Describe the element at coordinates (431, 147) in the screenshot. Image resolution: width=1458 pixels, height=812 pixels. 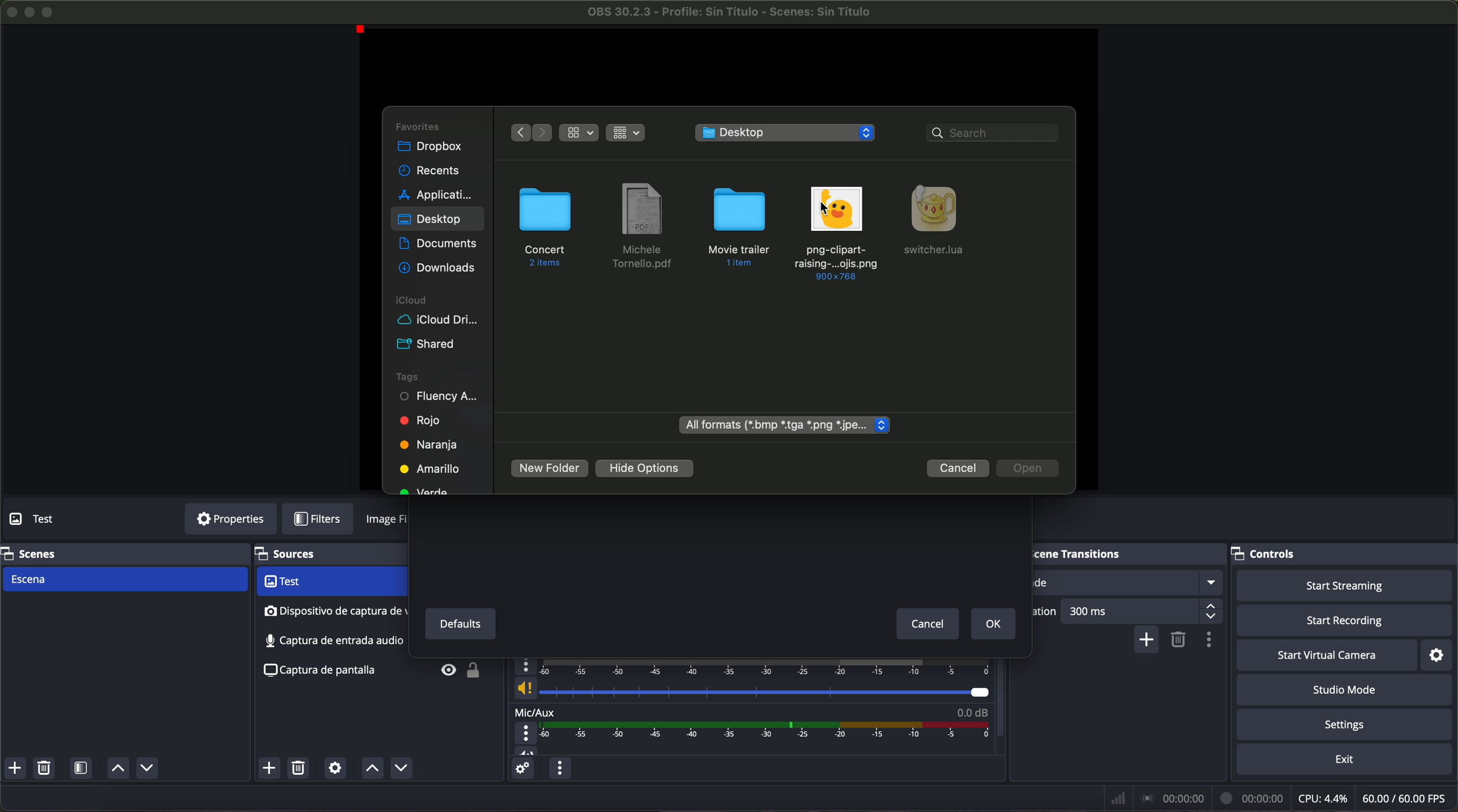
I see `dropbox` at that location.